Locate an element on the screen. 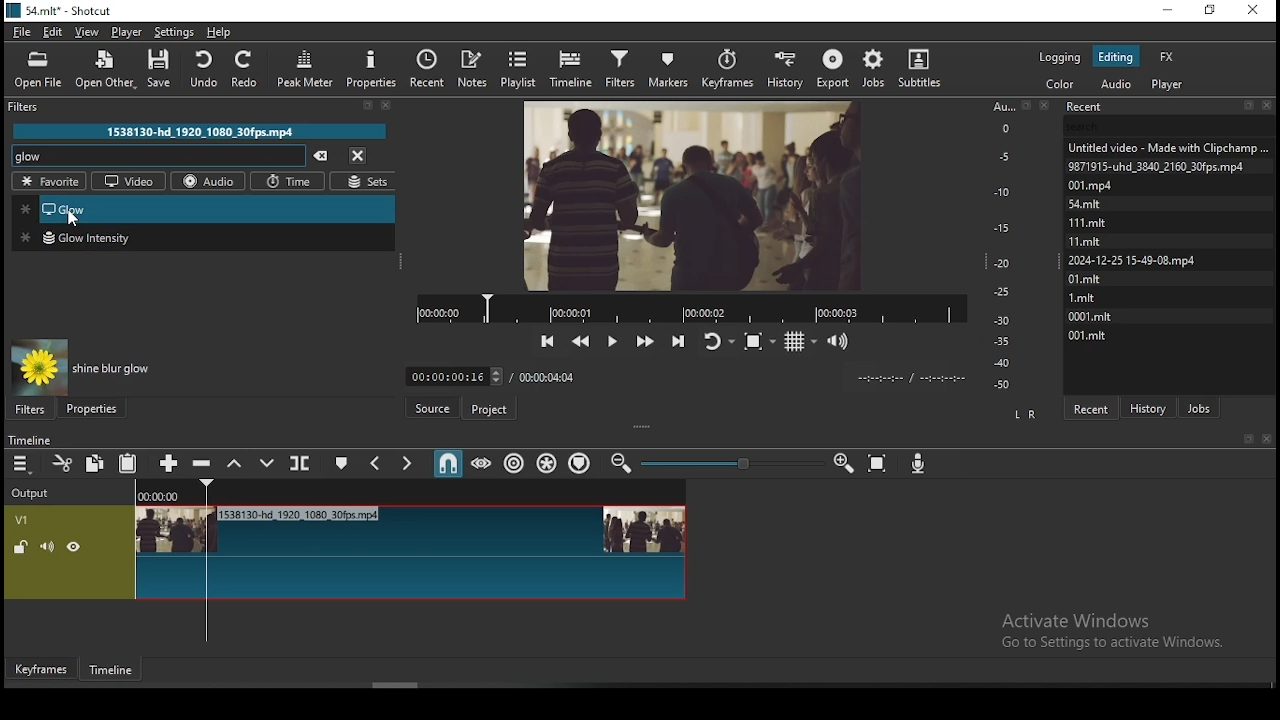 This screenshot has height=720, width=1280. Recent is located at coordinates (1169, 107).